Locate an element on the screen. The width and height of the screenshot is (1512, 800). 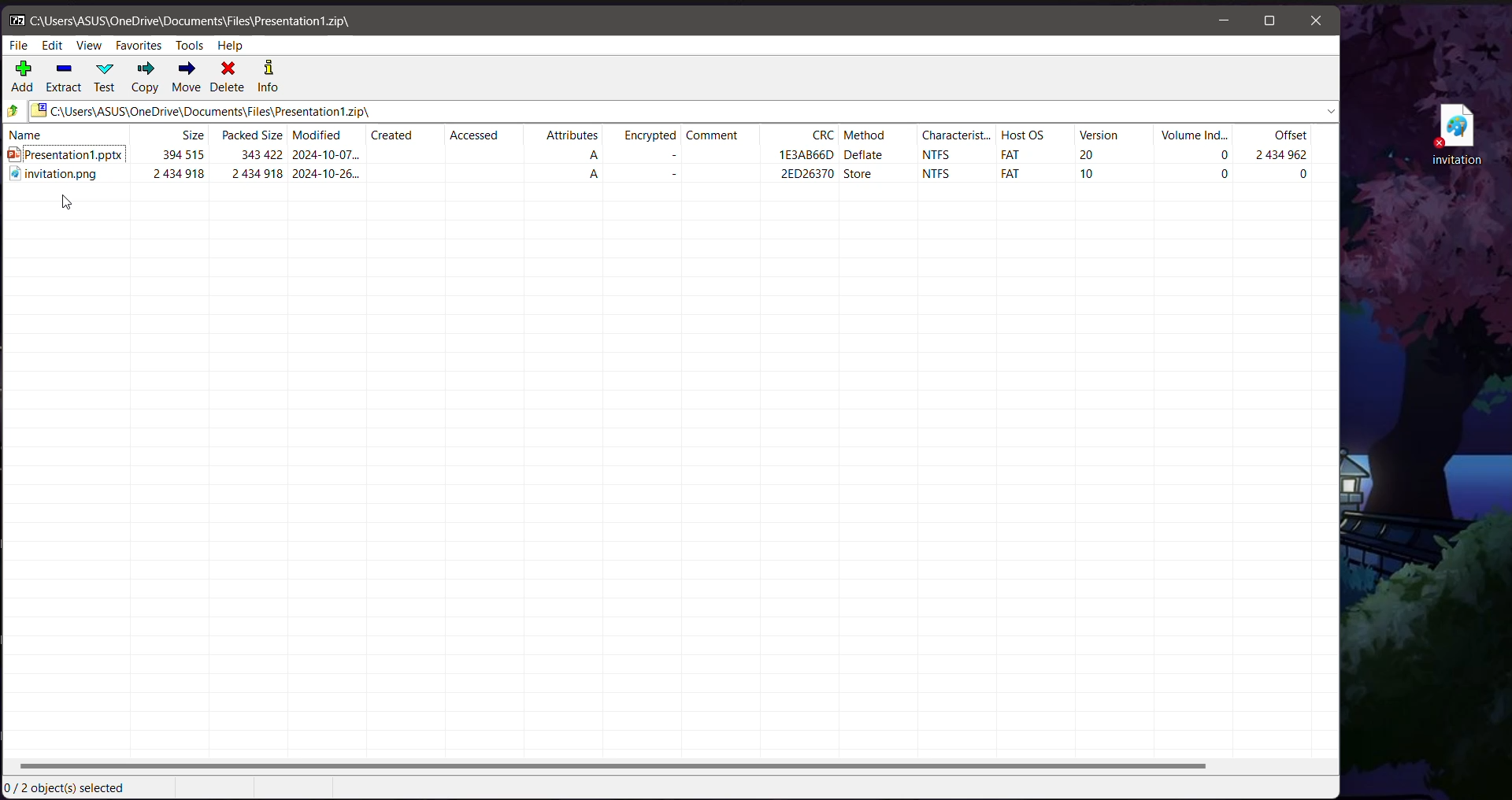
Copy is located at coordinates (145, 78).